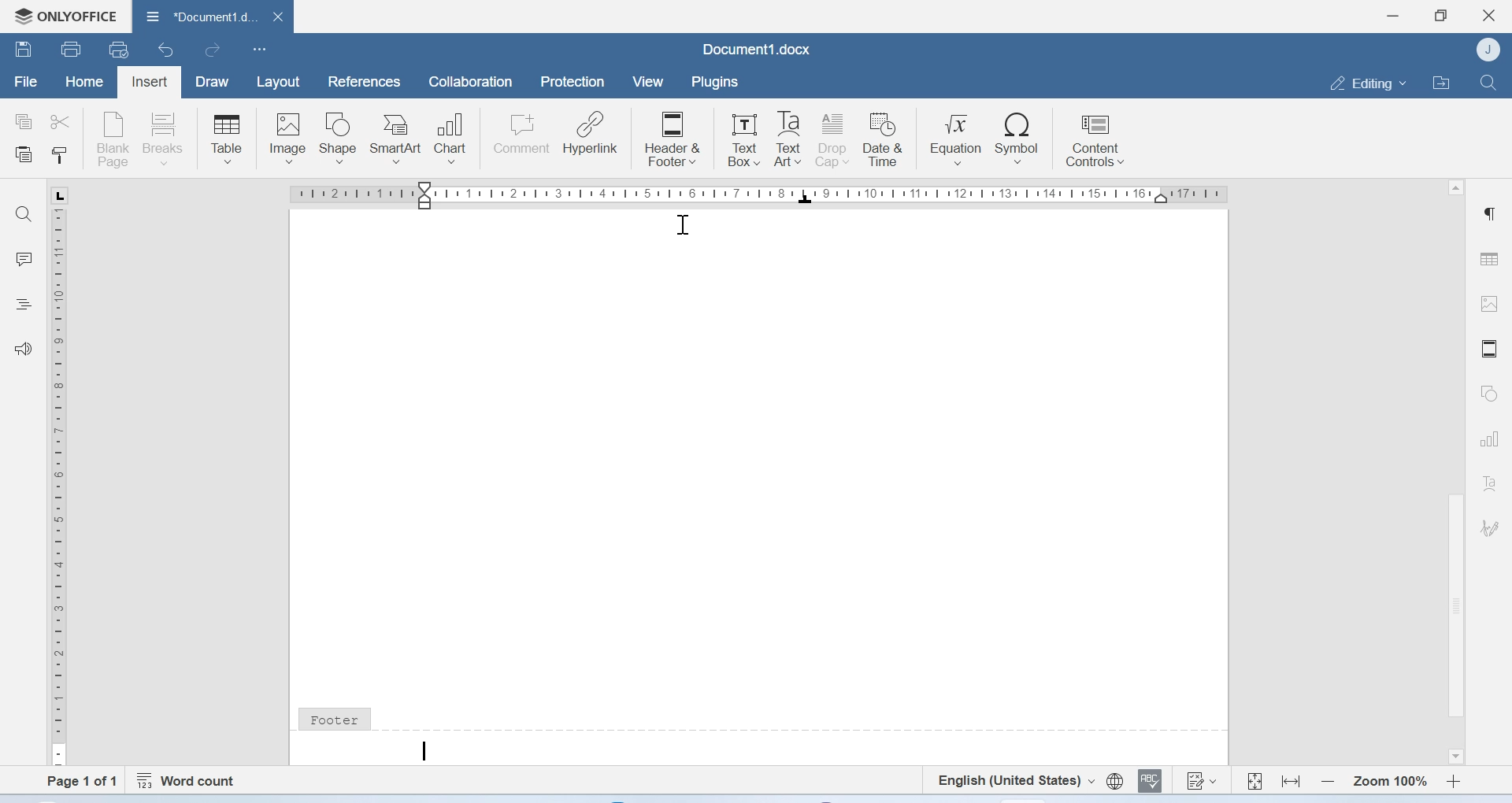  I want to click on Zoom out, so click(1327, 780).